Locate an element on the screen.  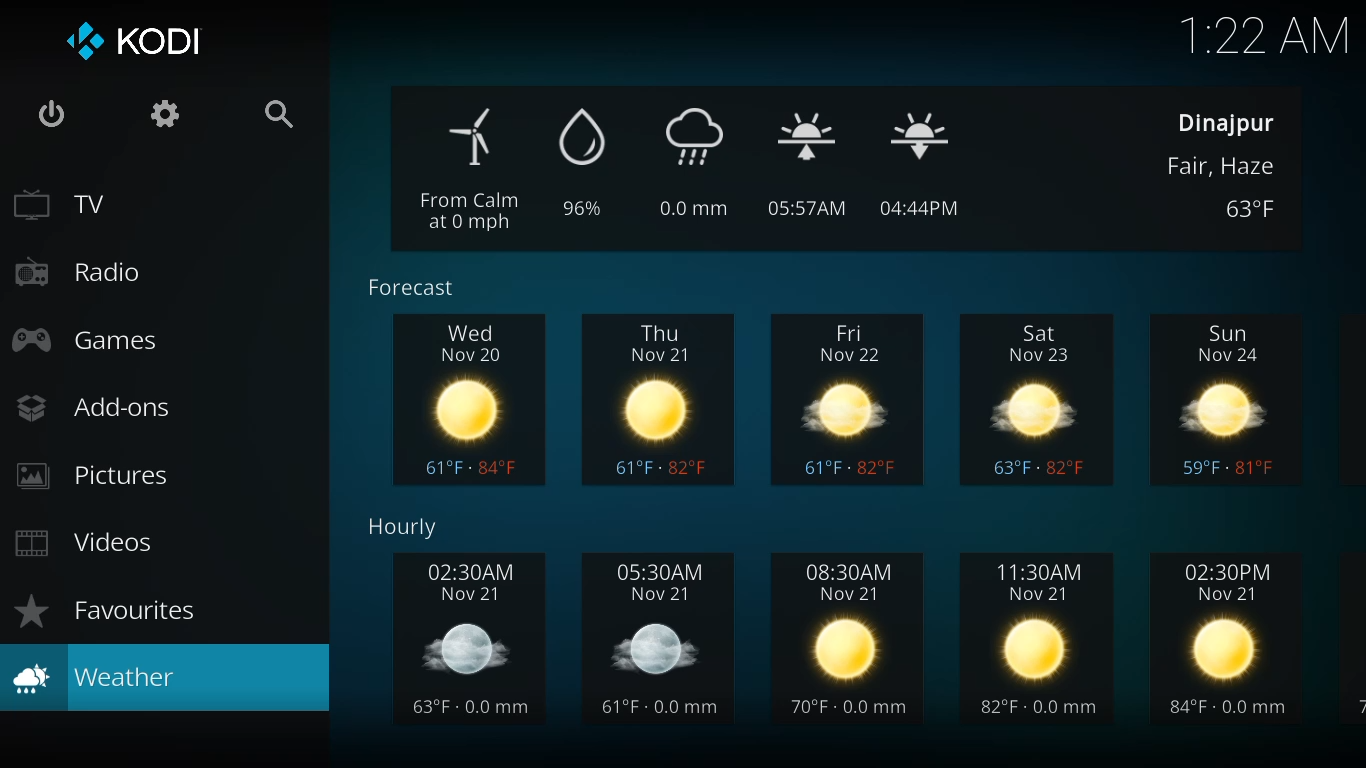
favorites is located at coordinates (106, 610).